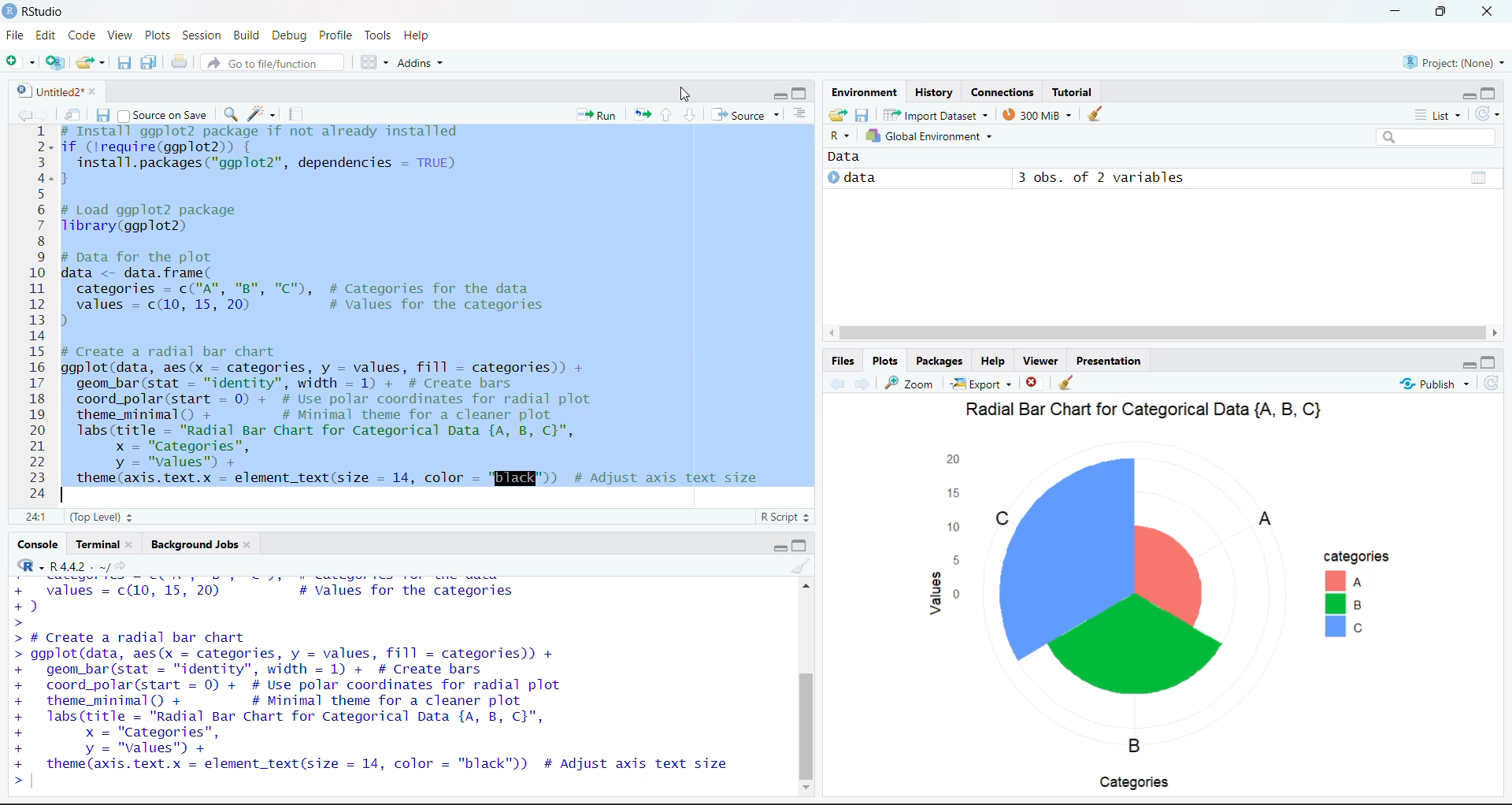  Describe the element at coordinates (749, 115) in the screenshot. I see ` Source ` at that location.